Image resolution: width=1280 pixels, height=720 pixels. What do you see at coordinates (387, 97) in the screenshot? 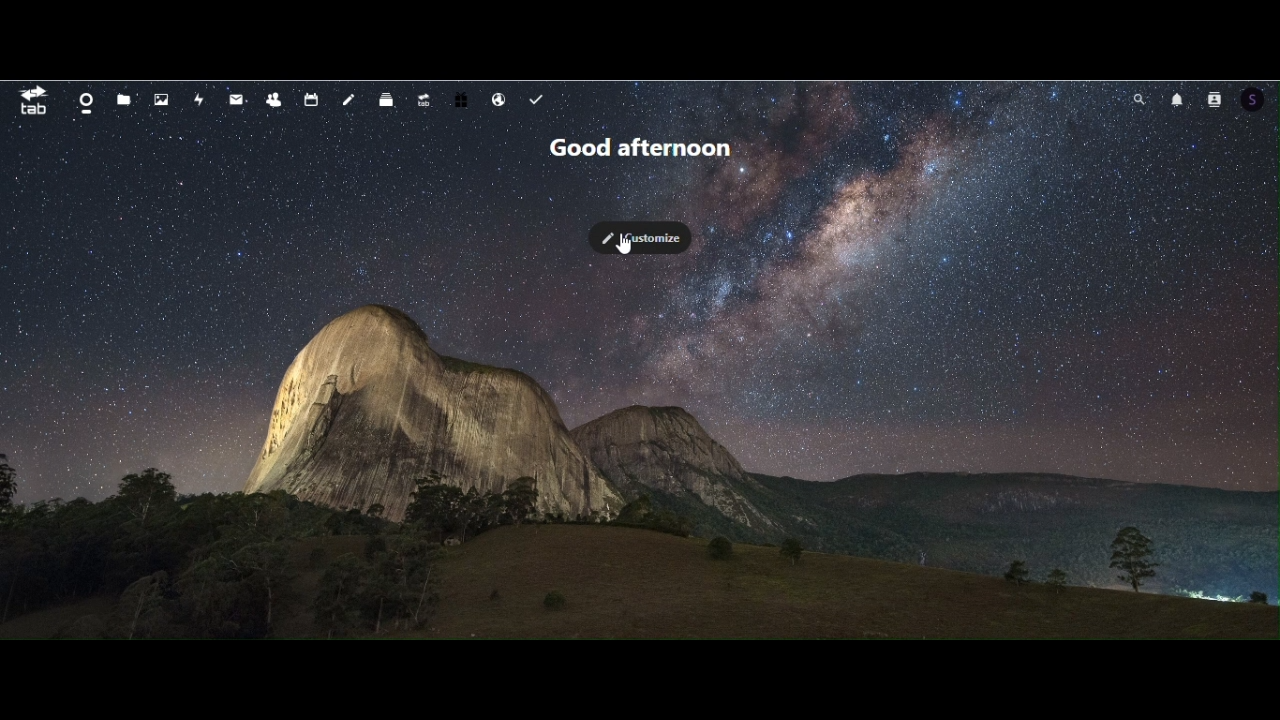
I see `deck` at bounding box center [387, 97].